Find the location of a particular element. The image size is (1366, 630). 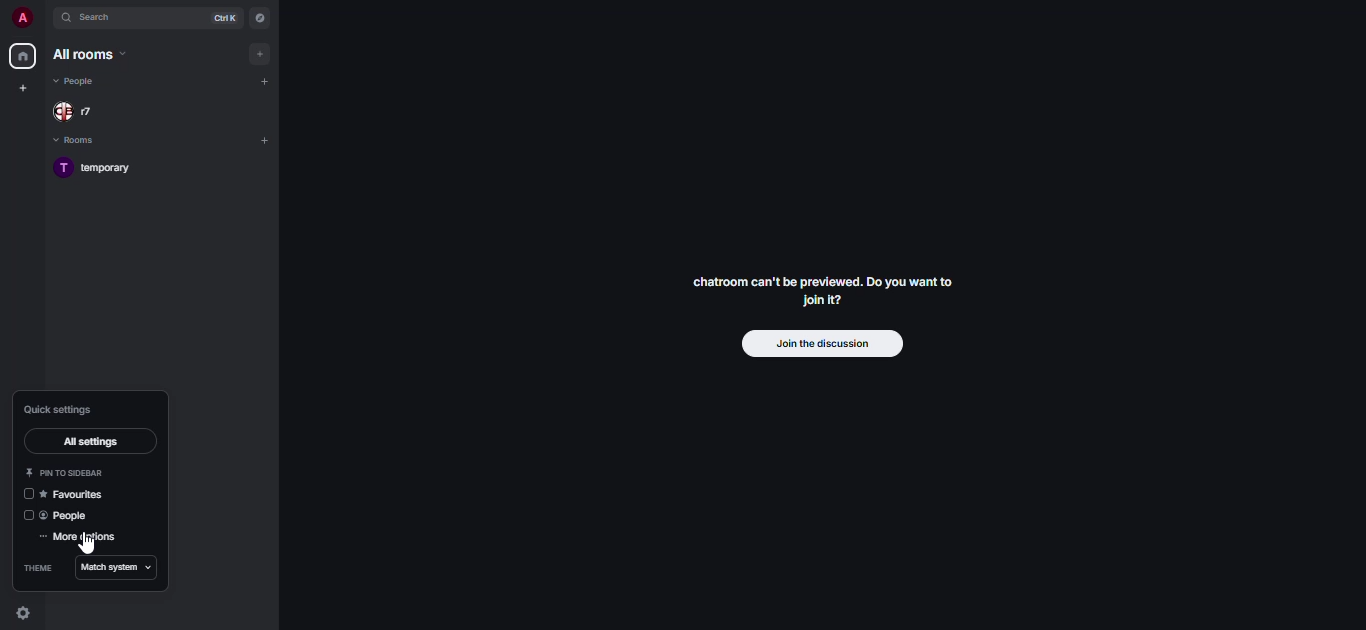

add is located at coordinates (267, 139).